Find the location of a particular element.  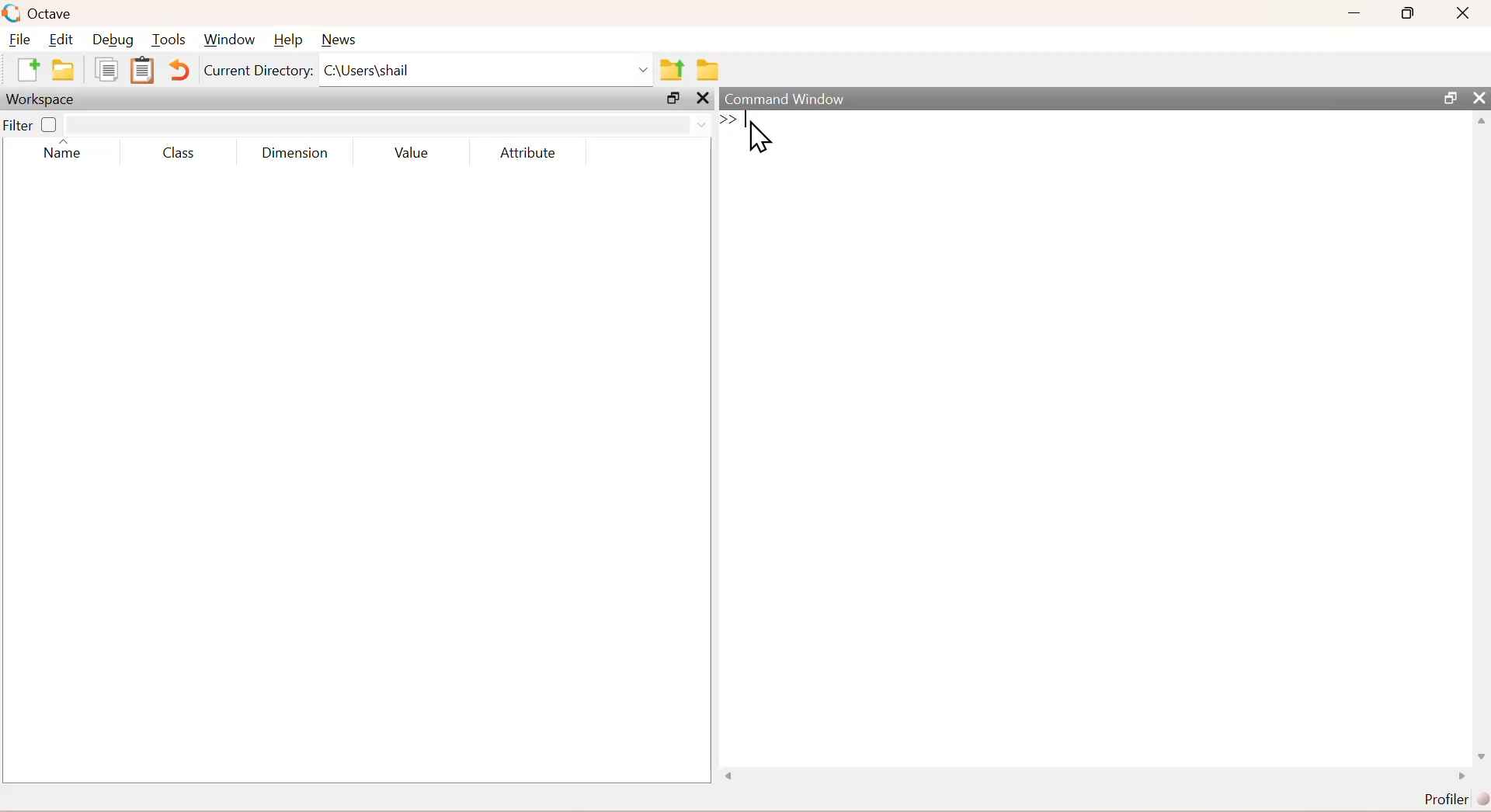

Down is located at coordinates (1482, 749).